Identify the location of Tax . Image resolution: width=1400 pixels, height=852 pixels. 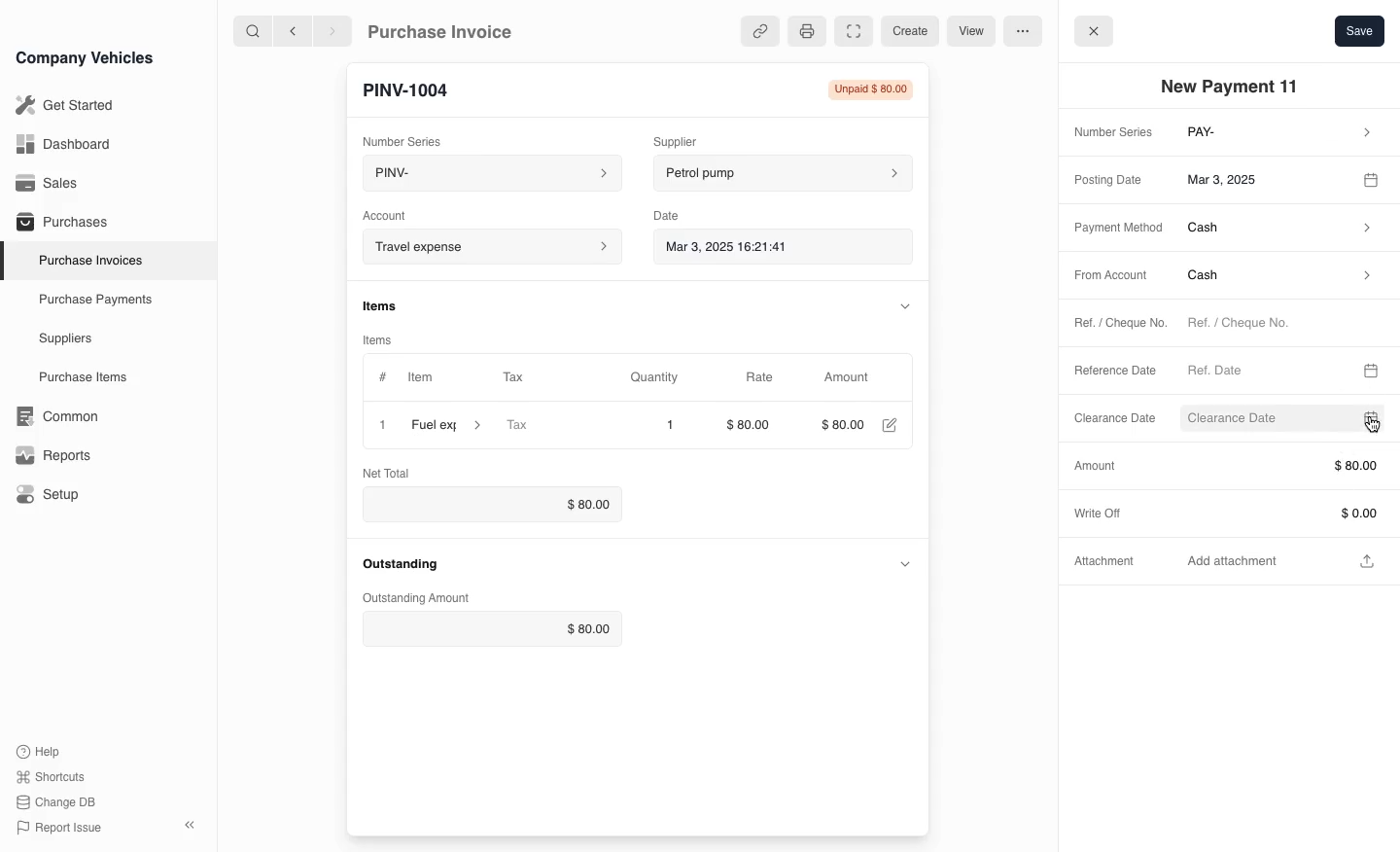
(549, 426).